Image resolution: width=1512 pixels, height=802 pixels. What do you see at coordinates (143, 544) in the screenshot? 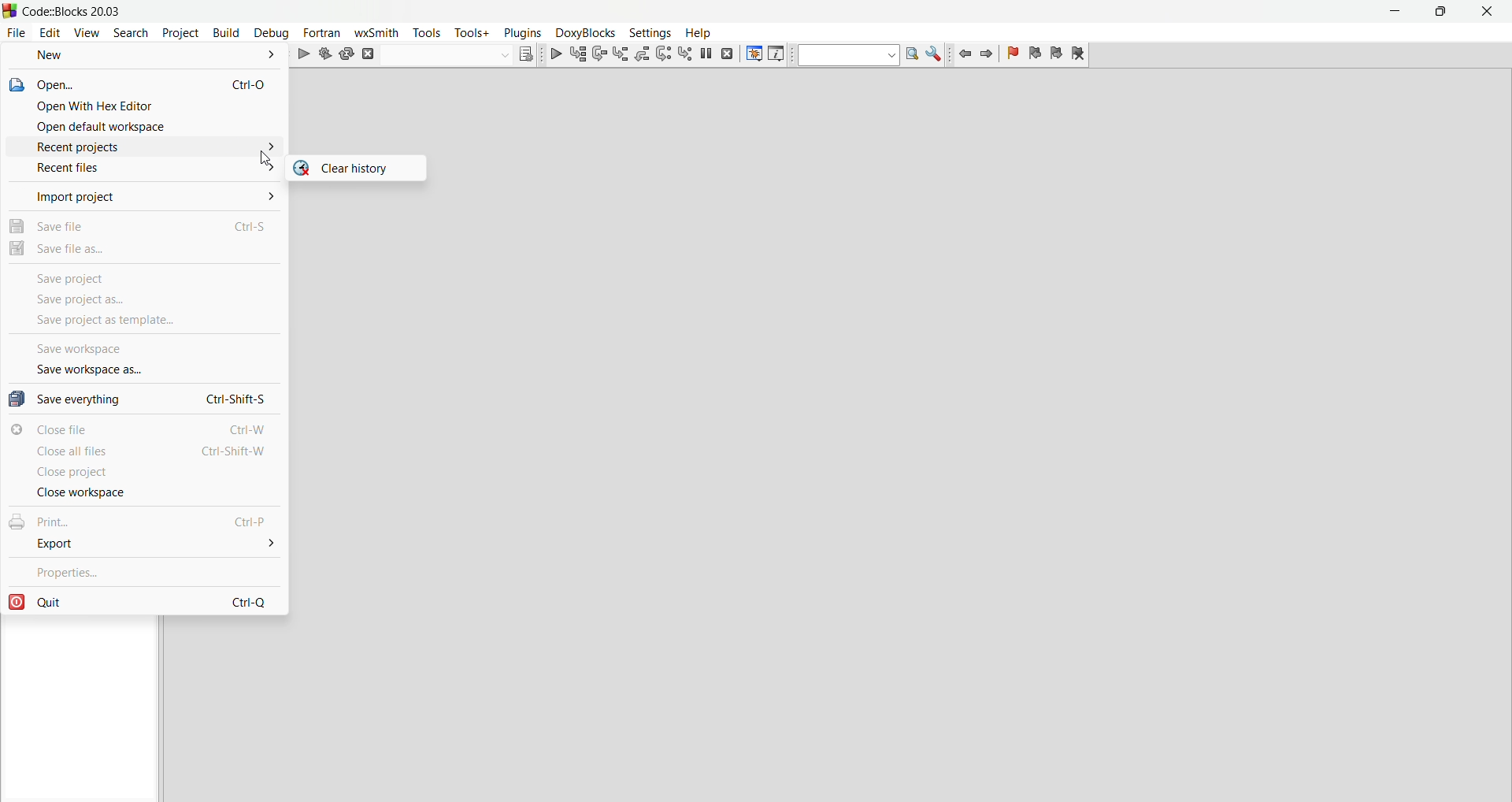
I see `export` at bounding box center [143, 544].